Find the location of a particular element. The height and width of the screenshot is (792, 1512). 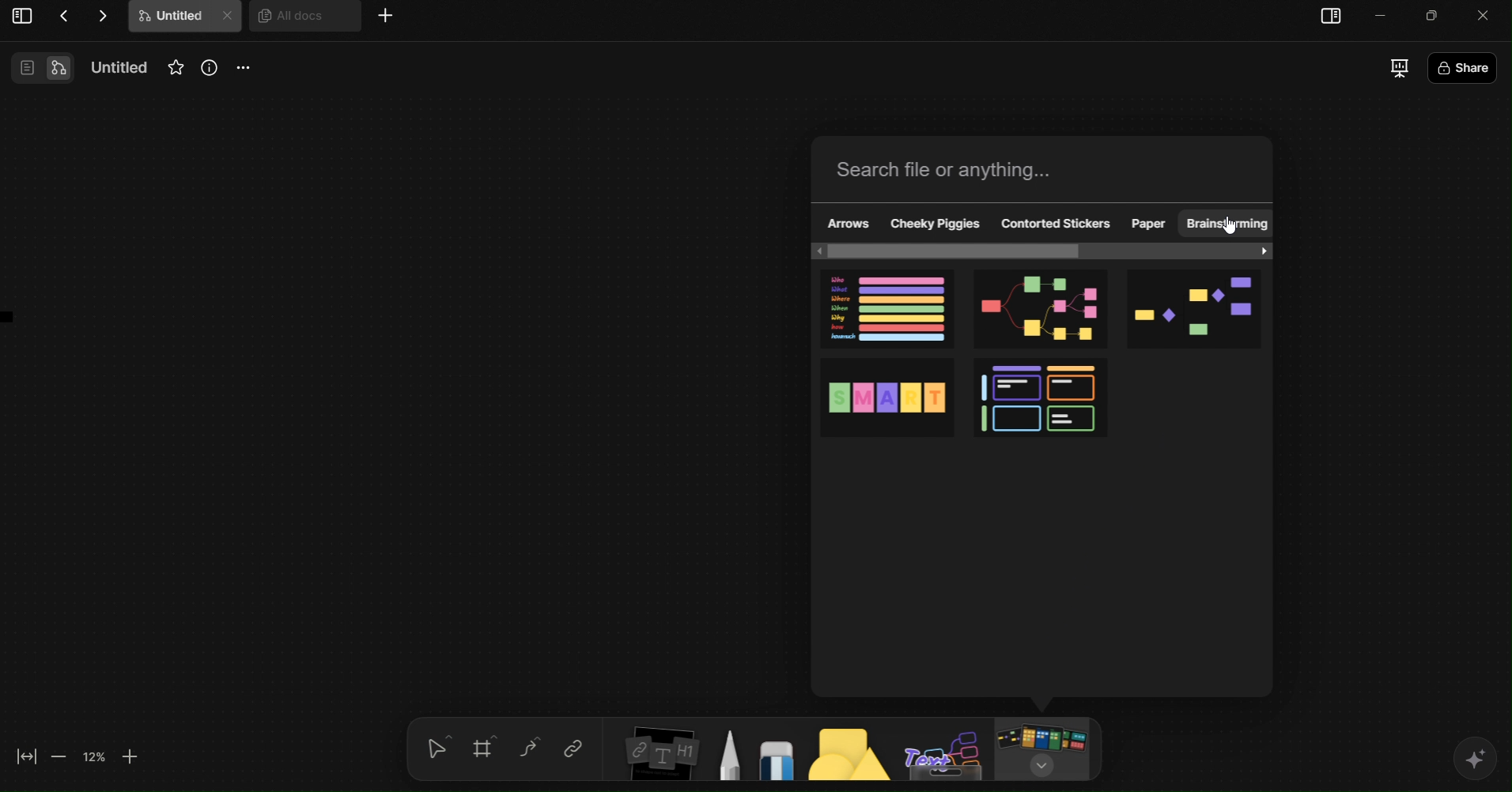

Untitle is located at coordinates (185, 19).